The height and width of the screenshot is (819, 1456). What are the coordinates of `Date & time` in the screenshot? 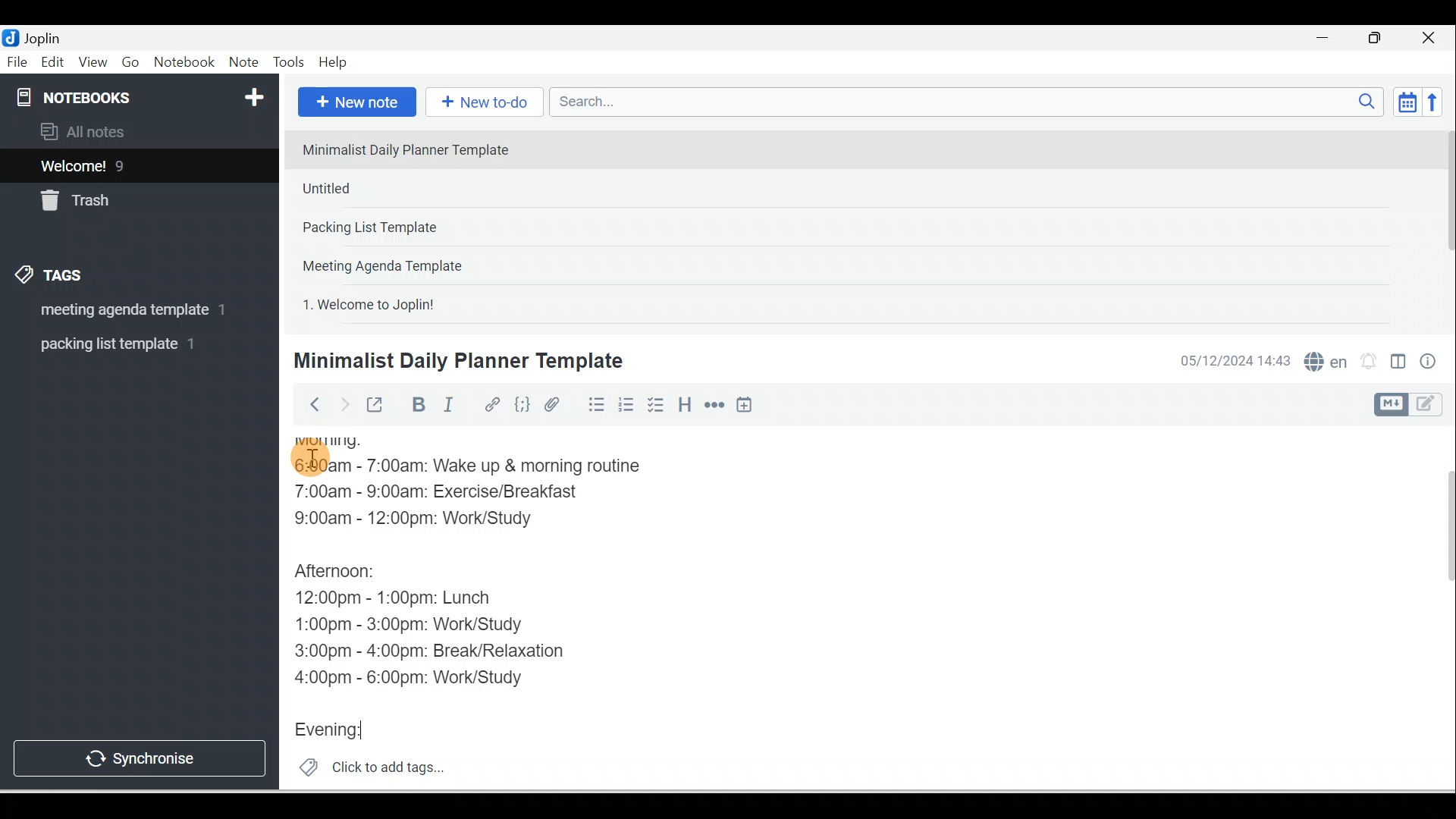 It's located at (1232, 361).